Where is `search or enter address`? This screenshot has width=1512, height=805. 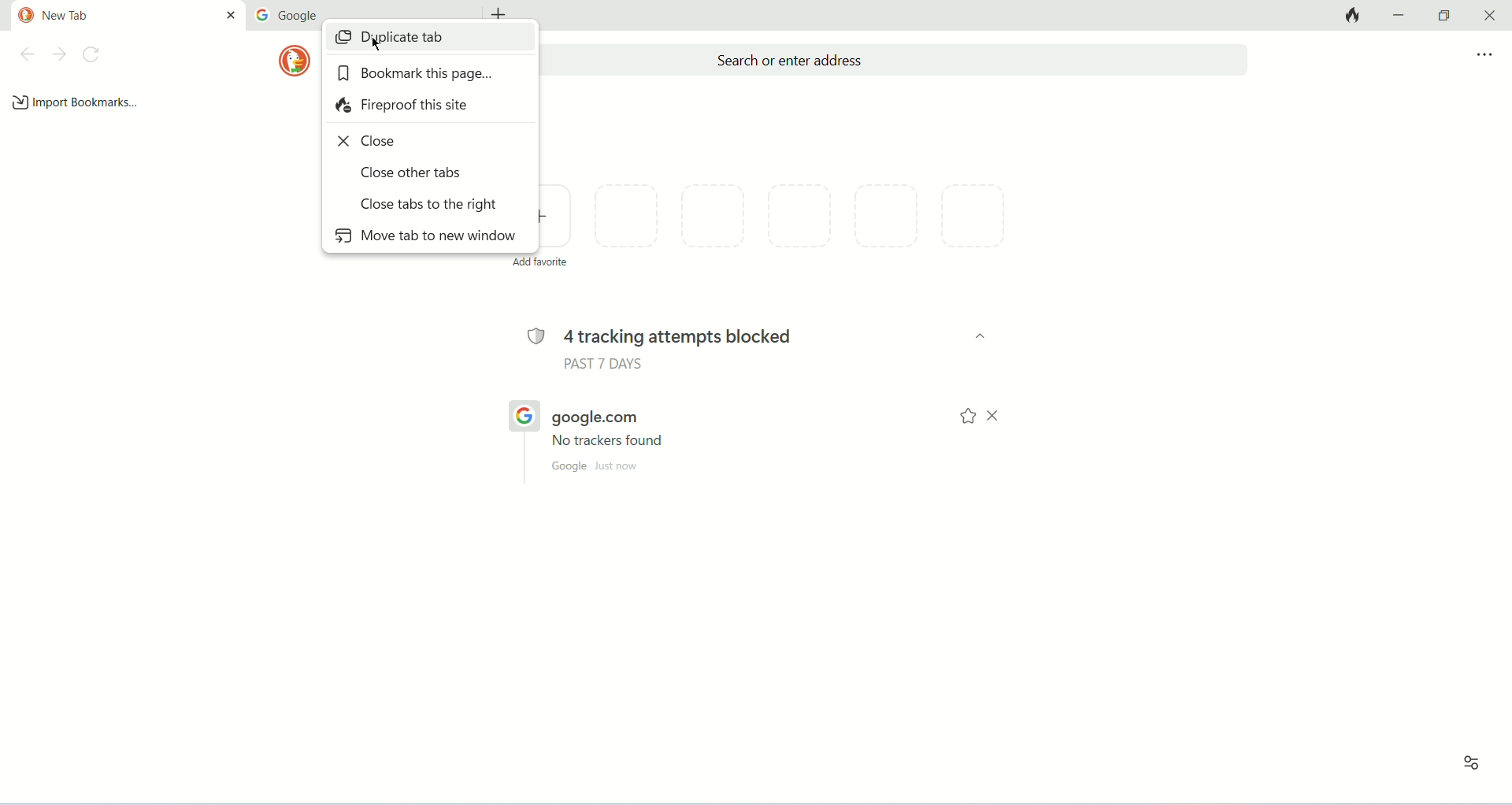 search or enter address is located at coordinates (897, 60).